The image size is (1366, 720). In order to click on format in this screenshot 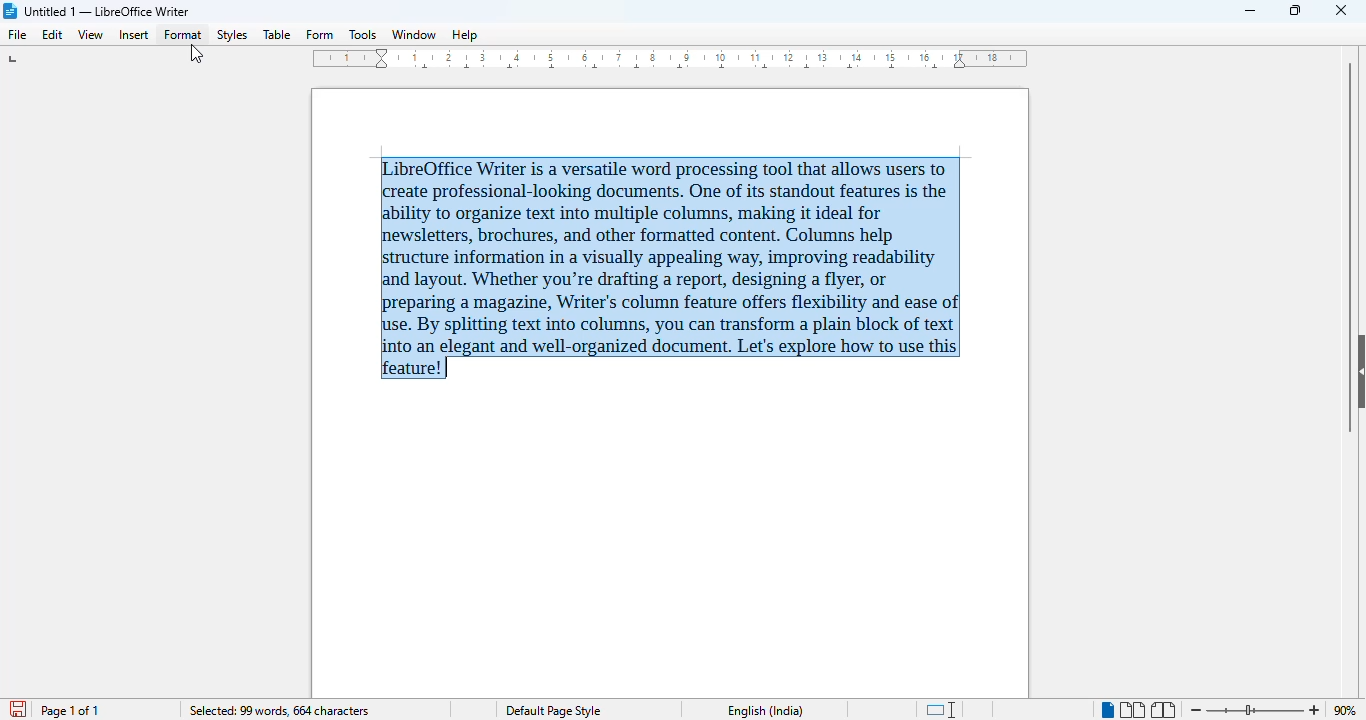, I will do `click(183, 35)`.